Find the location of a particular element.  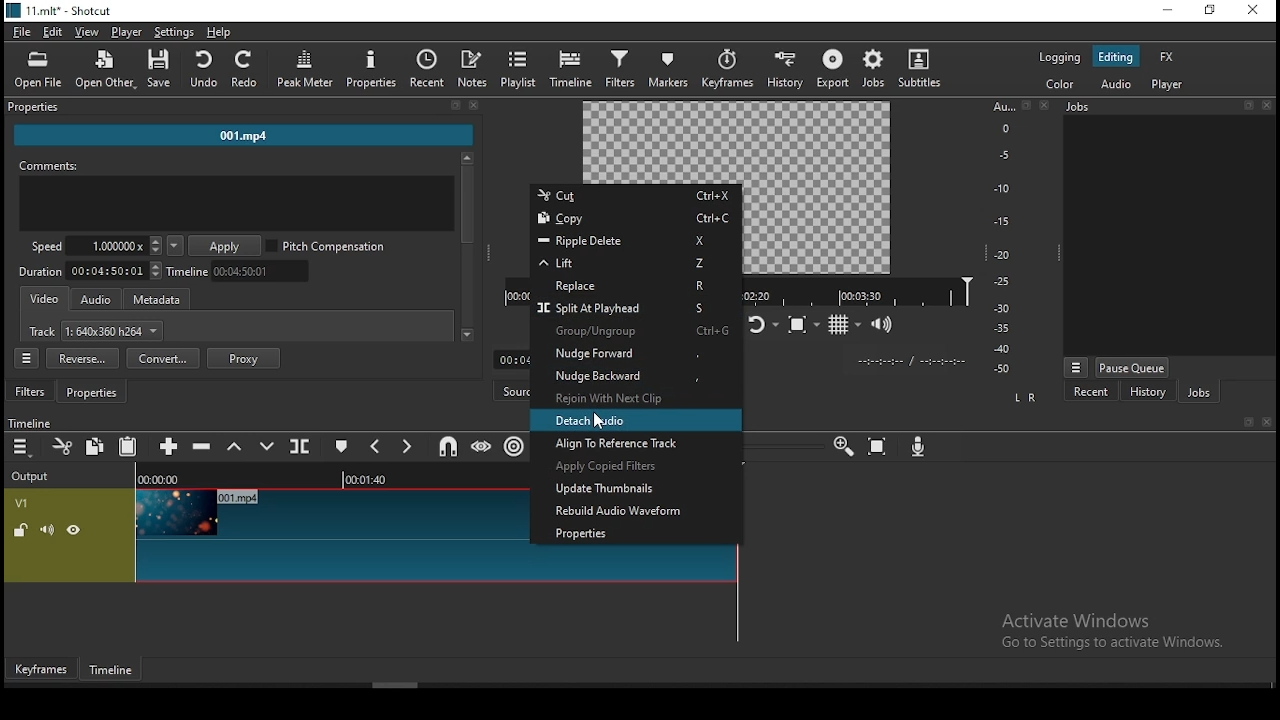

bookmark is located at coordinates (1246, 422).